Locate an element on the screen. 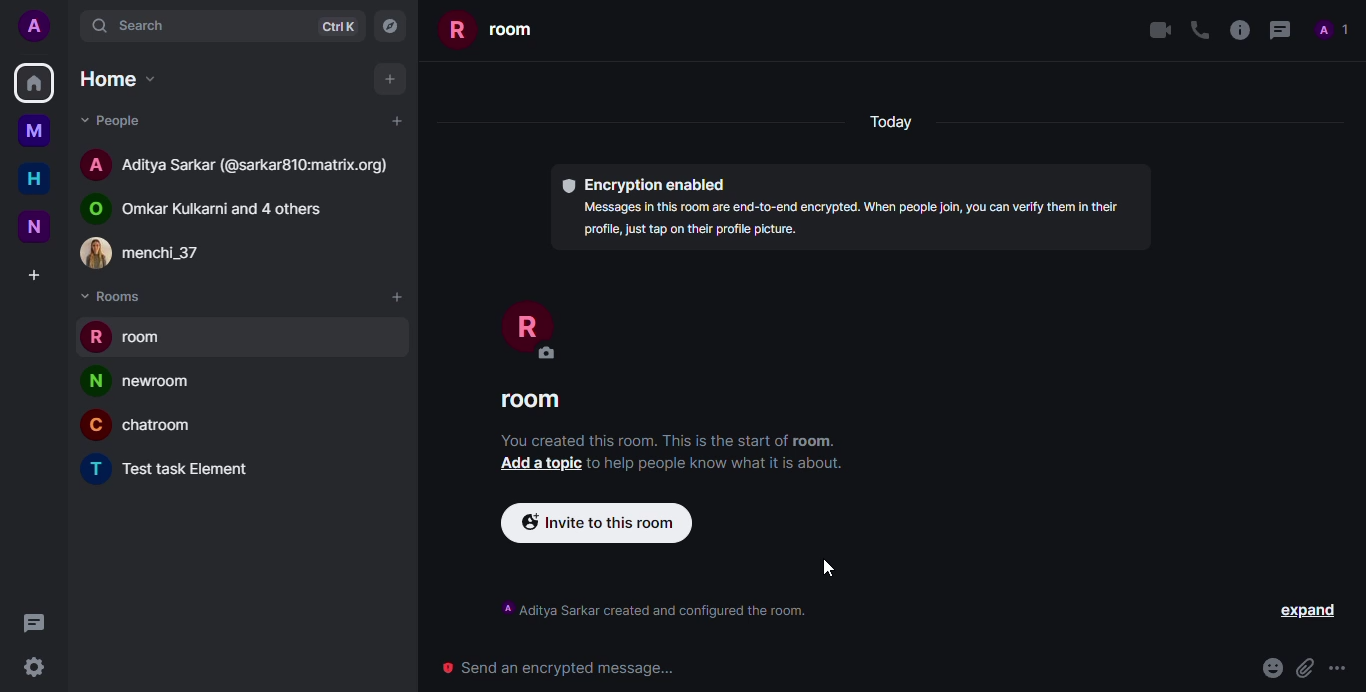  encryption enabled is located at coordinates (650, 183).